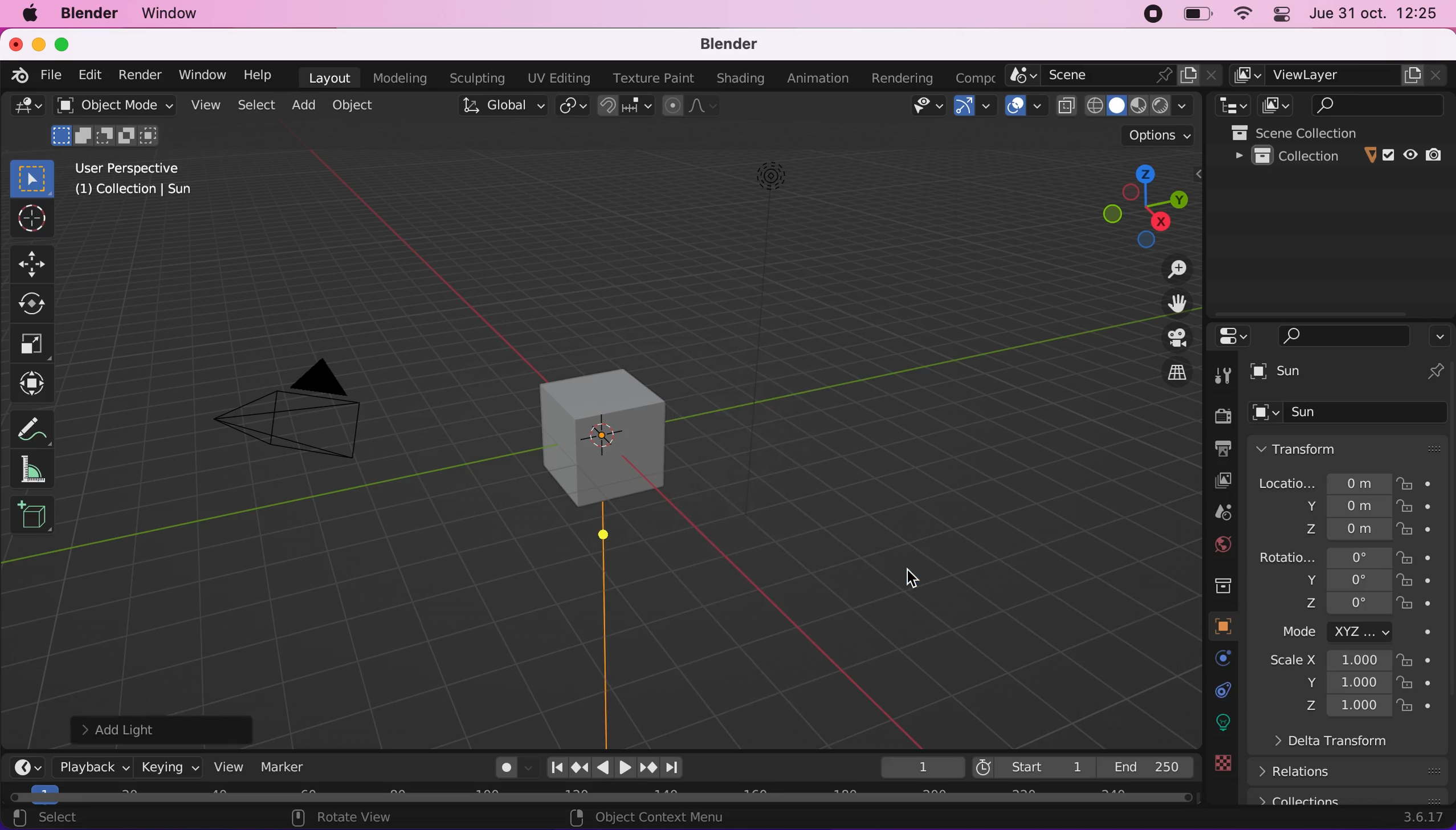 The width and height of the screenshot is (1456, 830). What do you see at coordinates (601, 797) in the screenshot?
I see `horizontal slider` at bounding box center [601, 797].